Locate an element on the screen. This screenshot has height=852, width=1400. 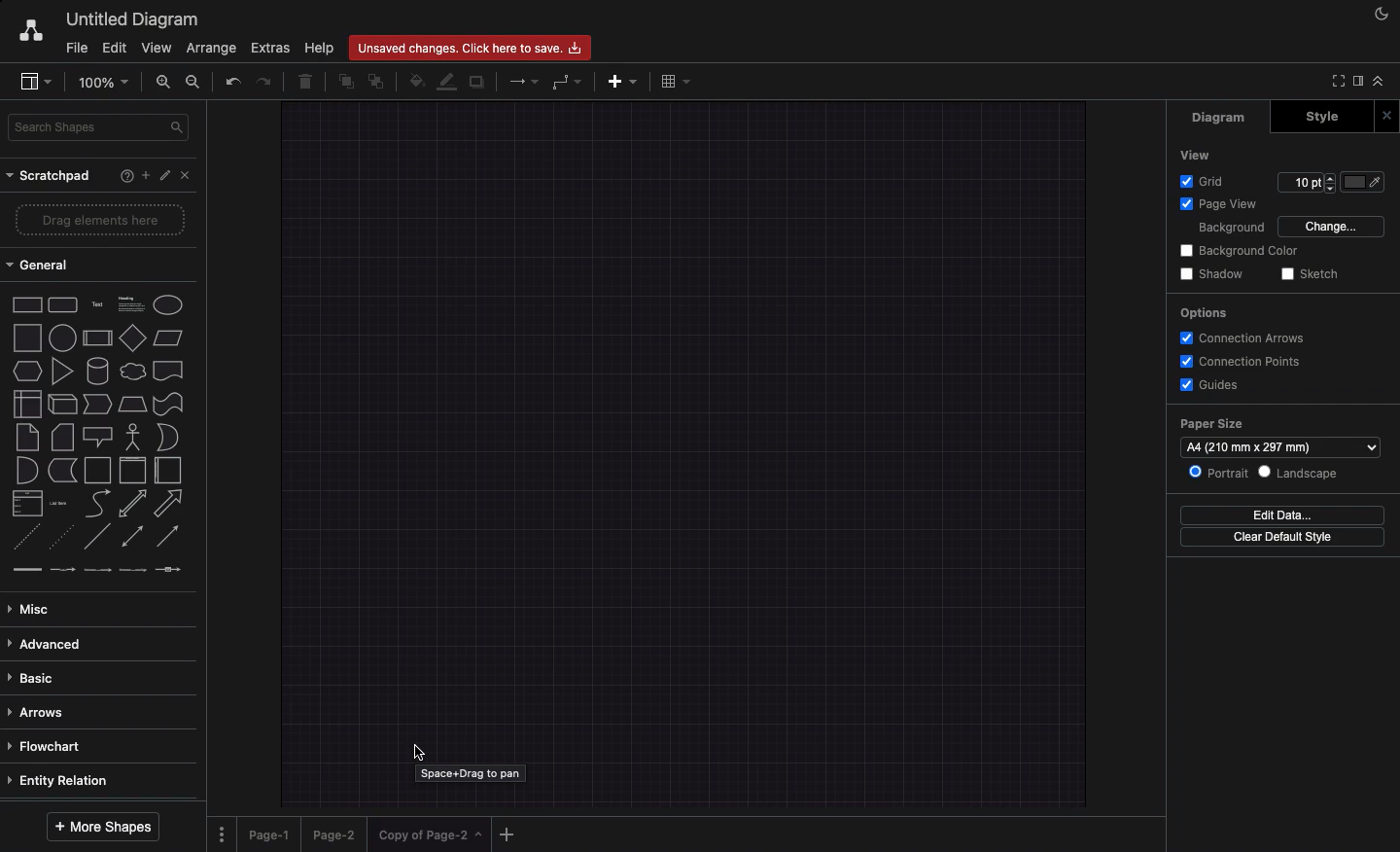
Basic is located at coordinates (43, 679).